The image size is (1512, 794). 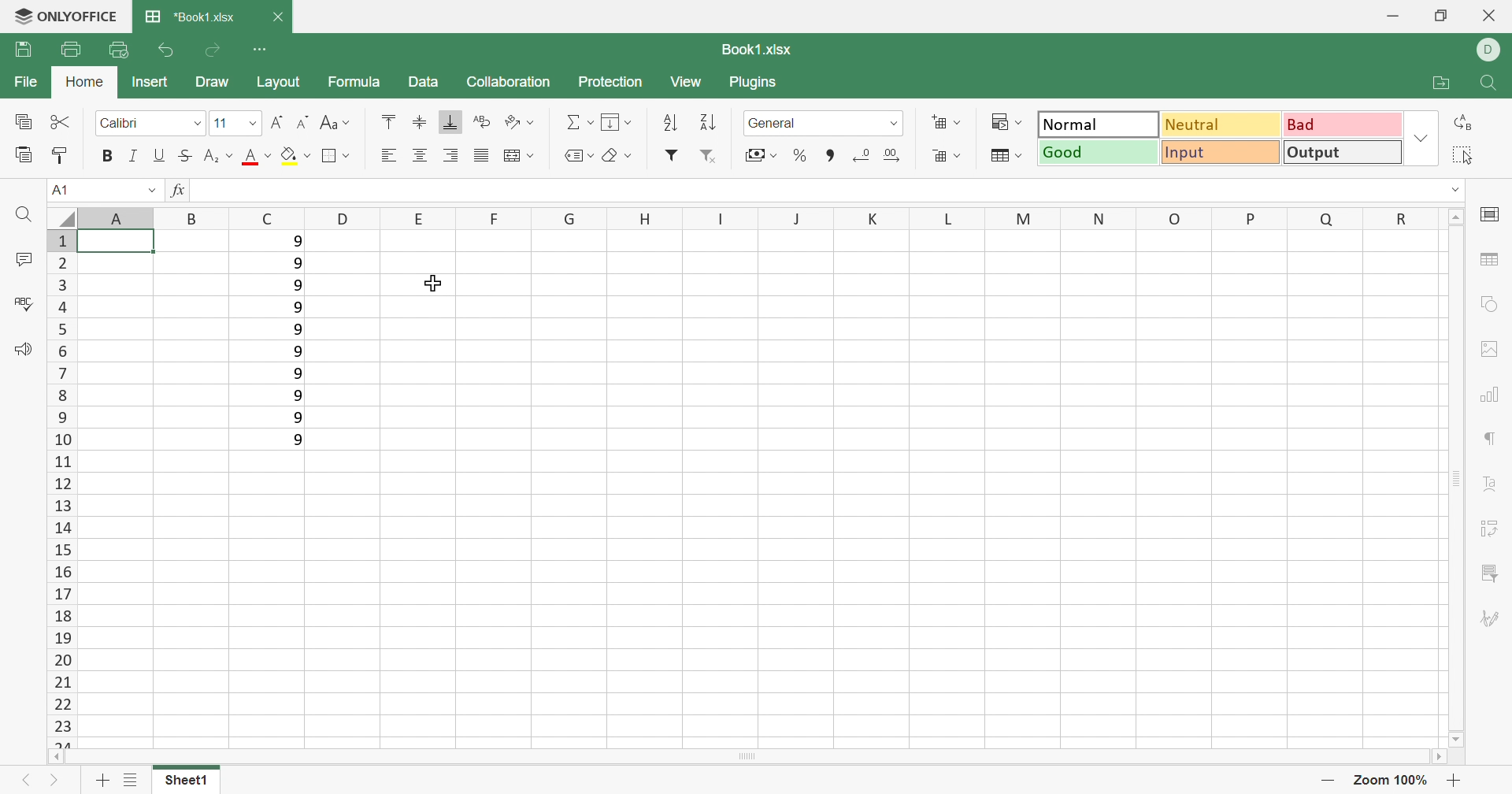 What do you see at coordinates (187, 17) in the screenshot?
I see `*Book1.xlsx` at bounding box center [187, 17].